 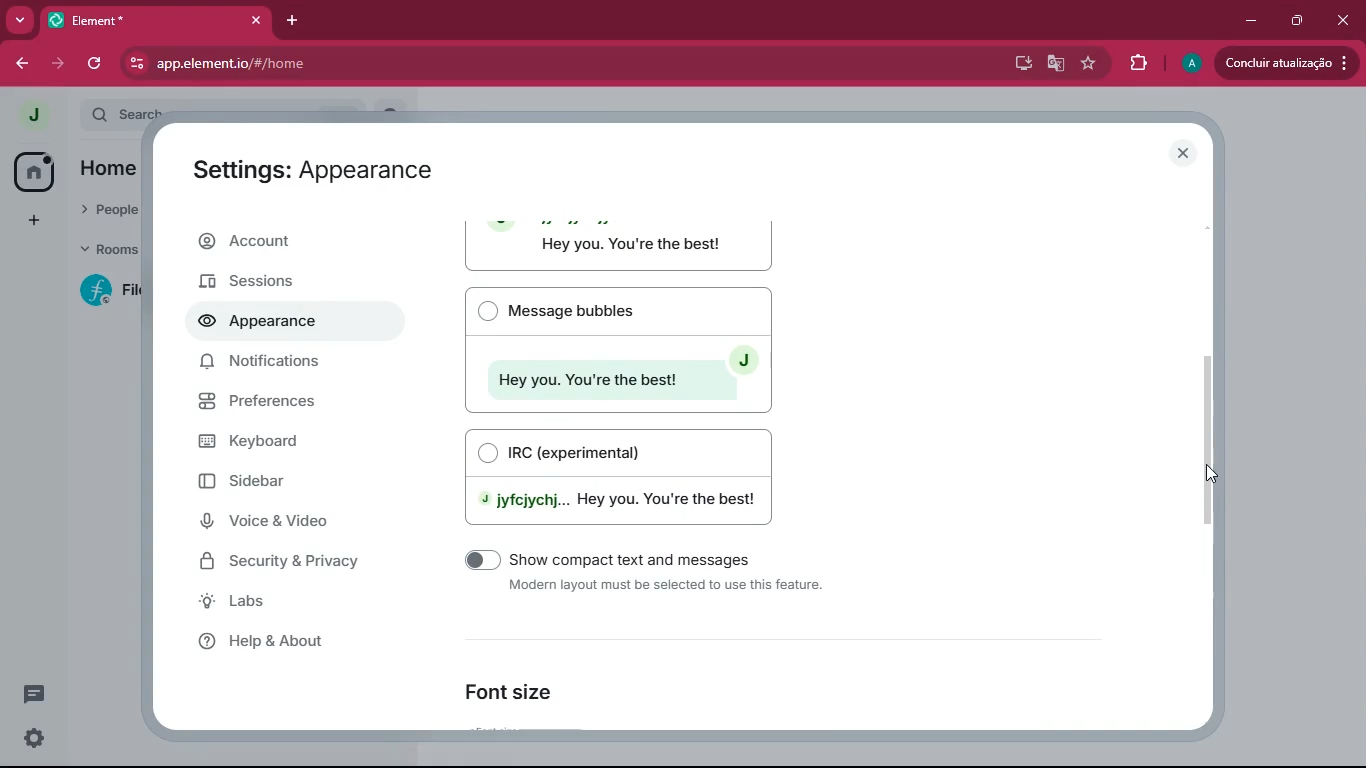 What do you see at coordinates (20, 19) in the screenshot?
I see `more` at bounding box center [20, 19].